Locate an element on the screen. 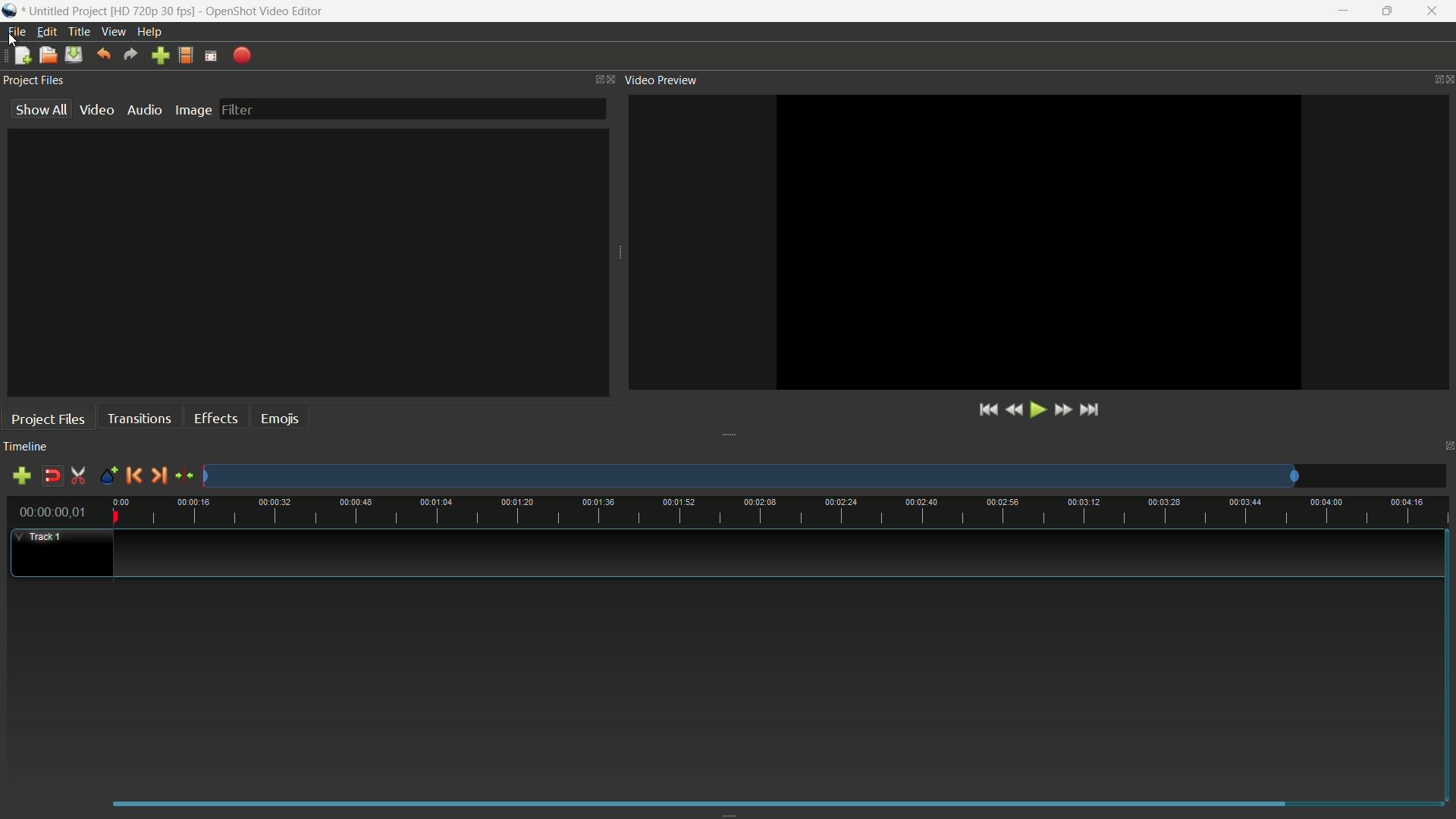  cursor is located at coordinates (15, 39).